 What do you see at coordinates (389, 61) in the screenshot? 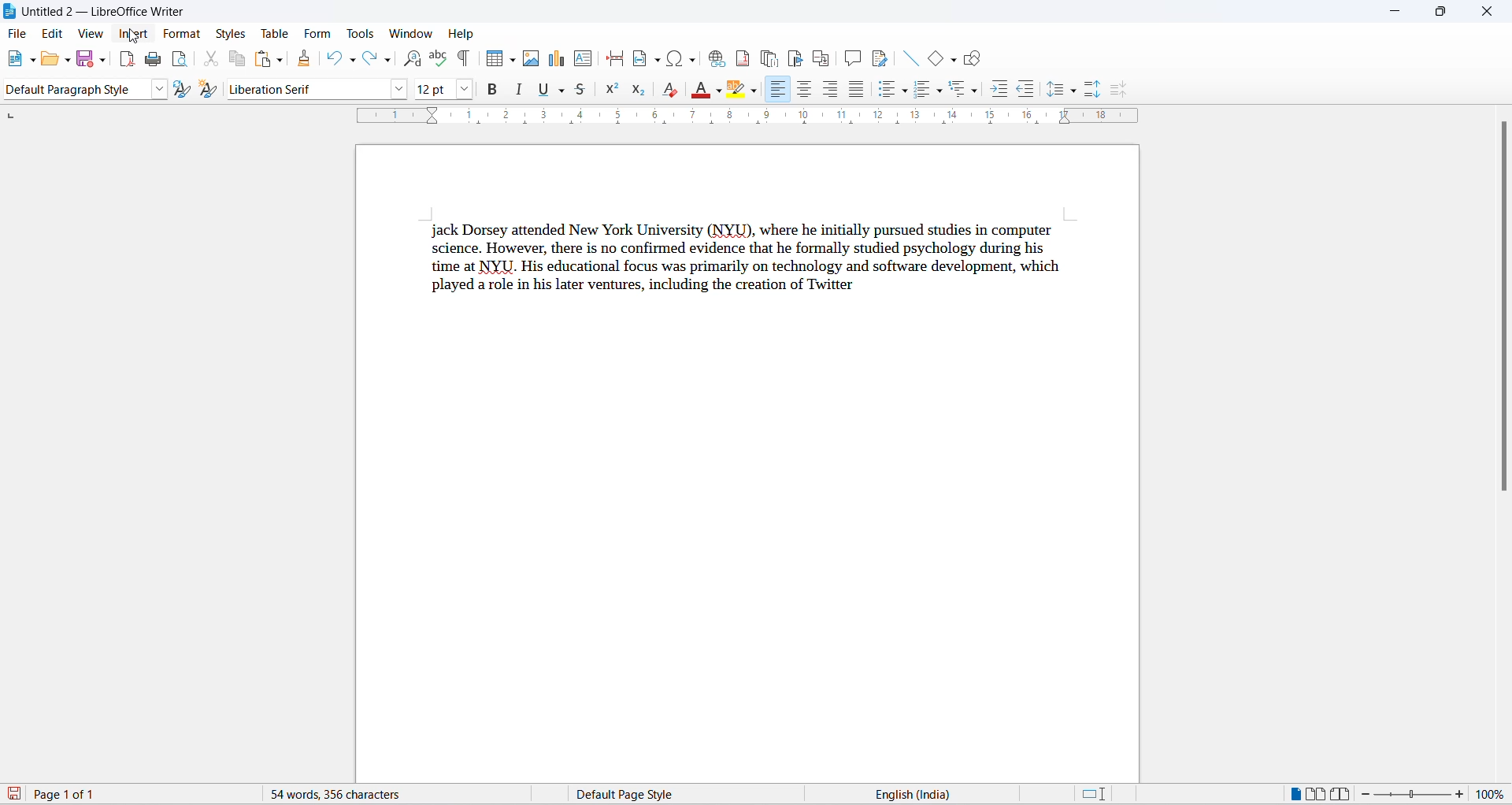
I see `redo options` at bounding box center [389, 61].